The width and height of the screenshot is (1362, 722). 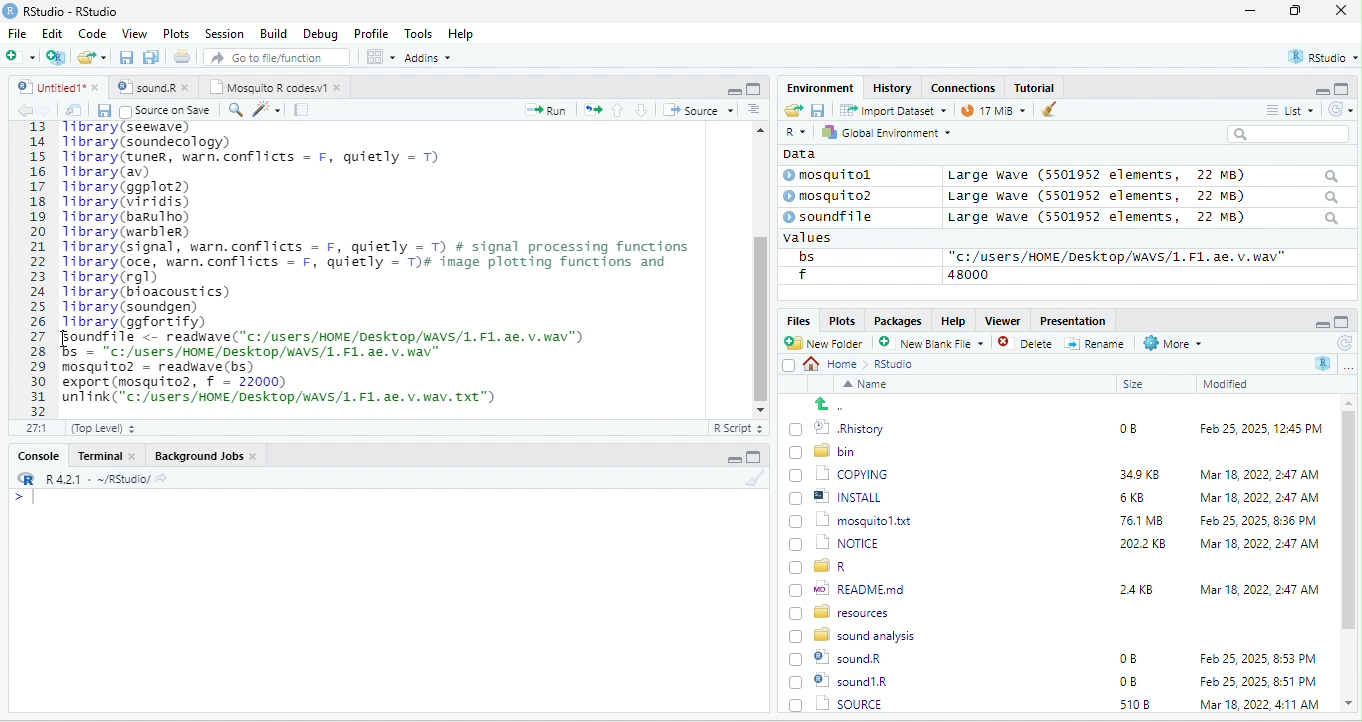 What do you see at coordinates (1258, 681) in the screenshot?
I see `Mar 18, 2022, 4:11 AM` at bounding box center [1258, 681].